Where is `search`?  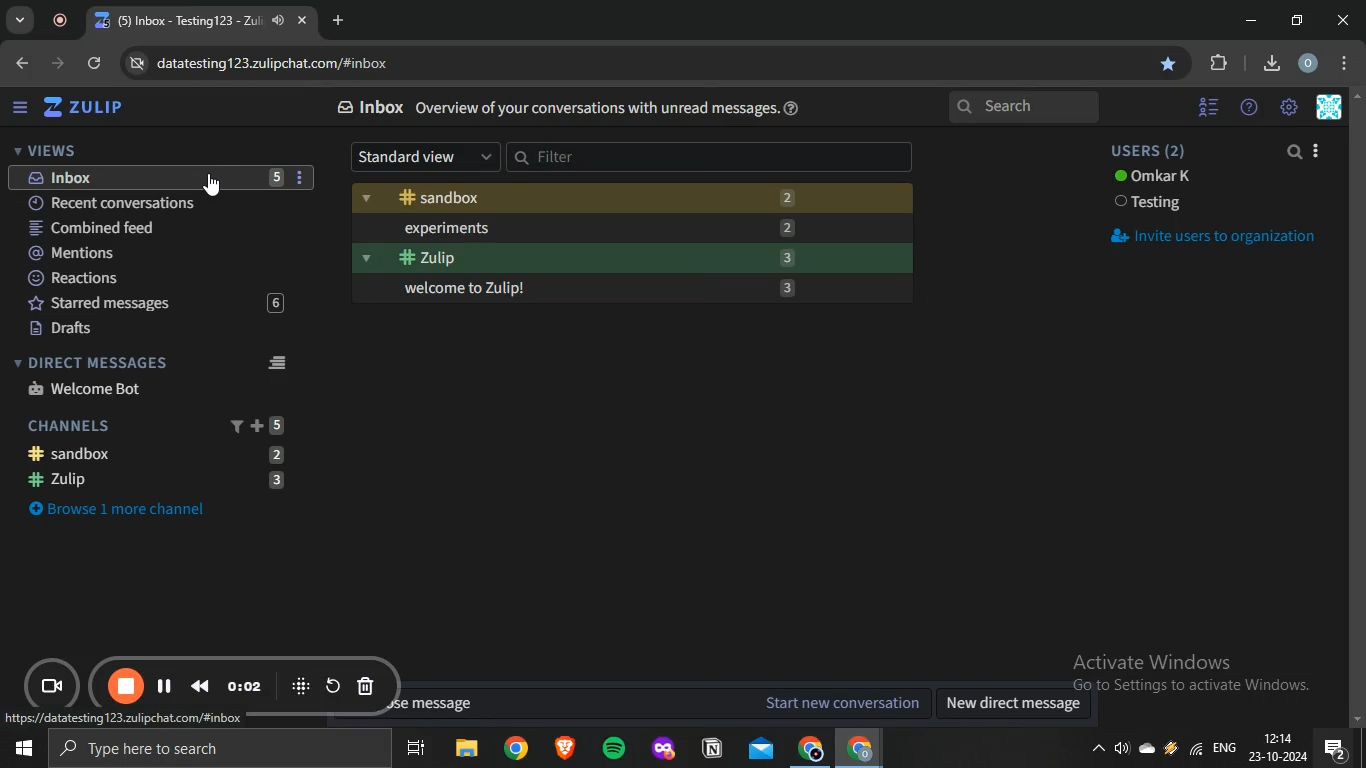 search is located at coordinates (1026, 108).